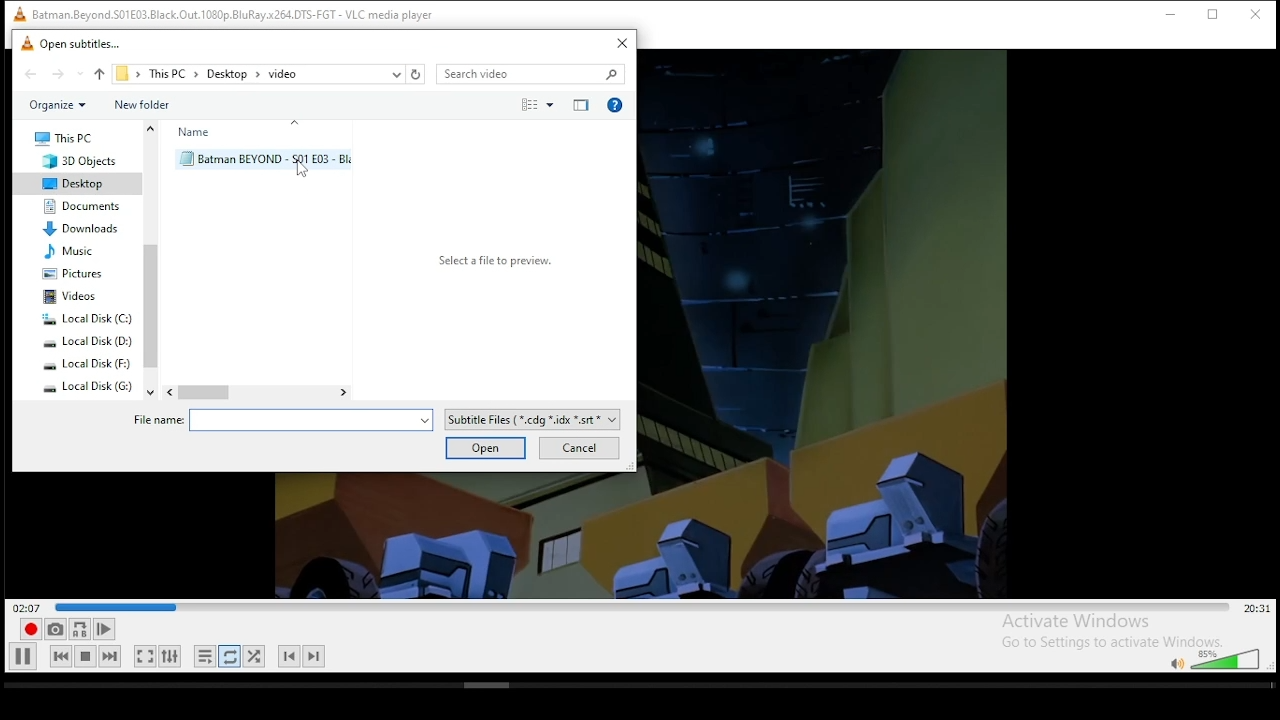 The image size is (1280, 720). I want to click on this PC, so click(167, 72).